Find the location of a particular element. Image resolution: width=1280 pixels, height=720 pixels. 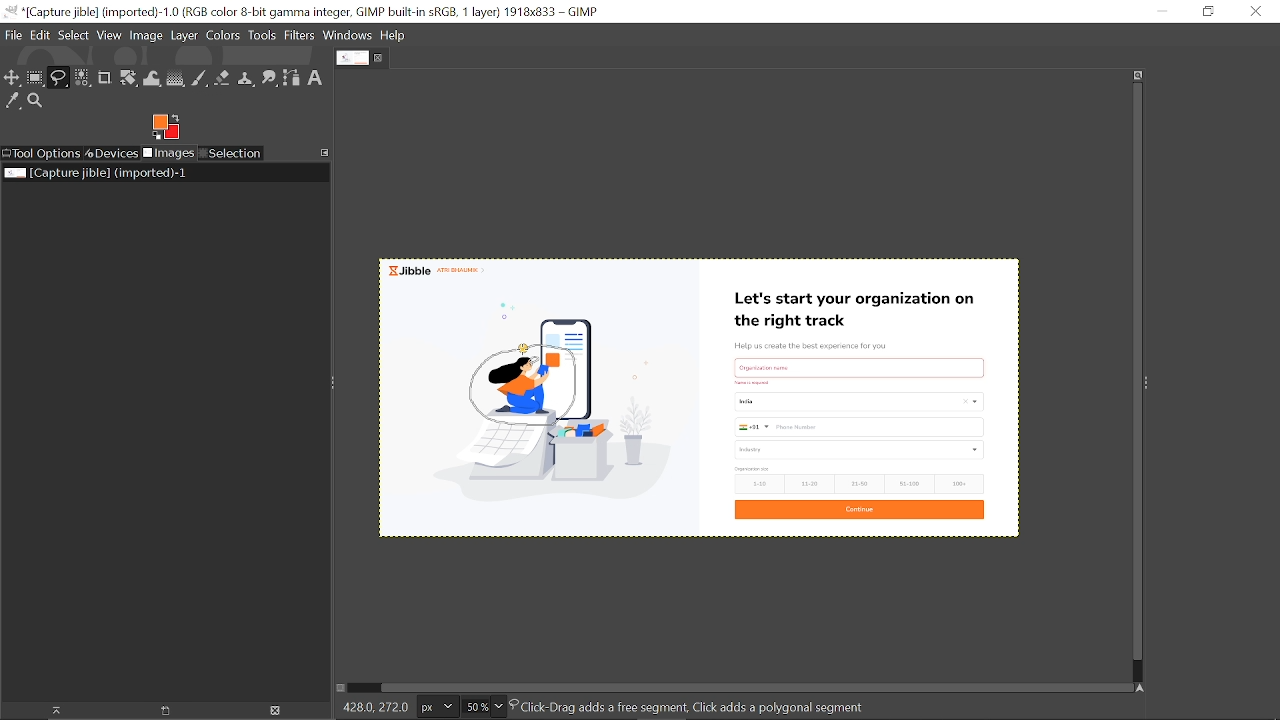

Vertical scrollbar is located at coordinates (1134, 374).